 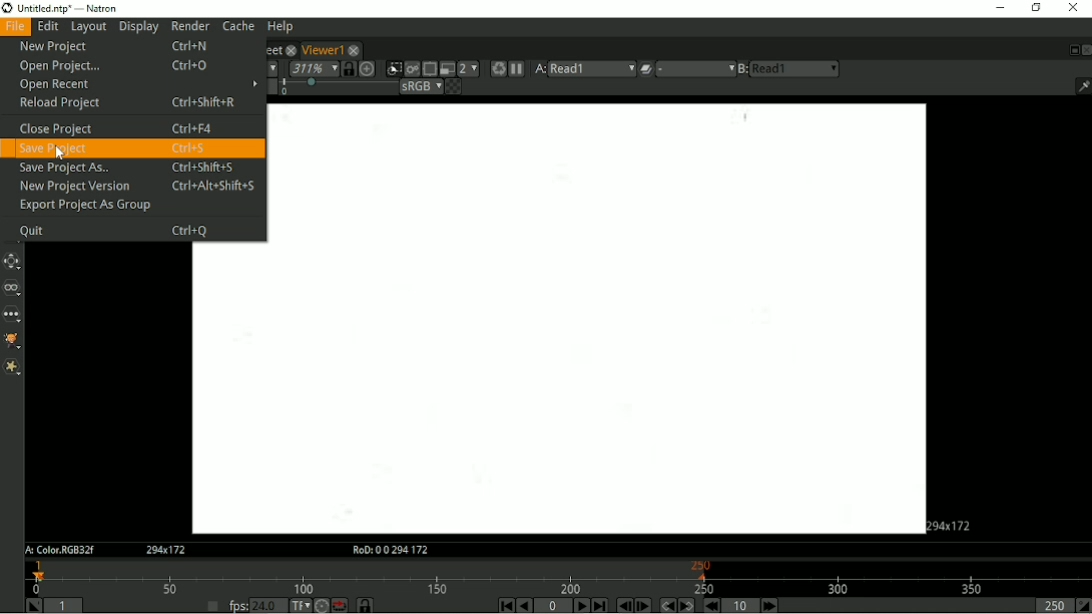 What do you see at coordinates (643, 606) in the screenshot?
I see `Next frame` at bounding box center [643, 606].